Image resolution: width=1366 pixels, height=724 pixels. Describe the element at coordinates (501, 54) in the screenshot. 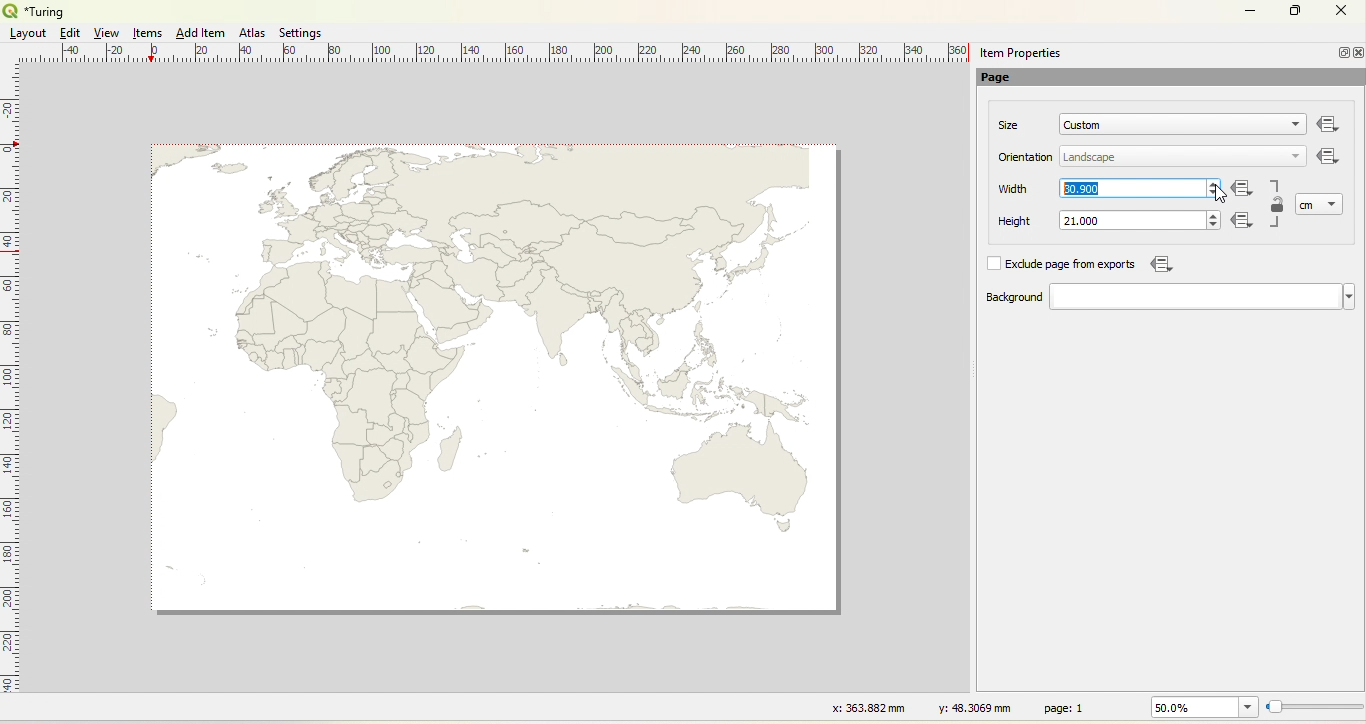

I see `Ruler` at that location.